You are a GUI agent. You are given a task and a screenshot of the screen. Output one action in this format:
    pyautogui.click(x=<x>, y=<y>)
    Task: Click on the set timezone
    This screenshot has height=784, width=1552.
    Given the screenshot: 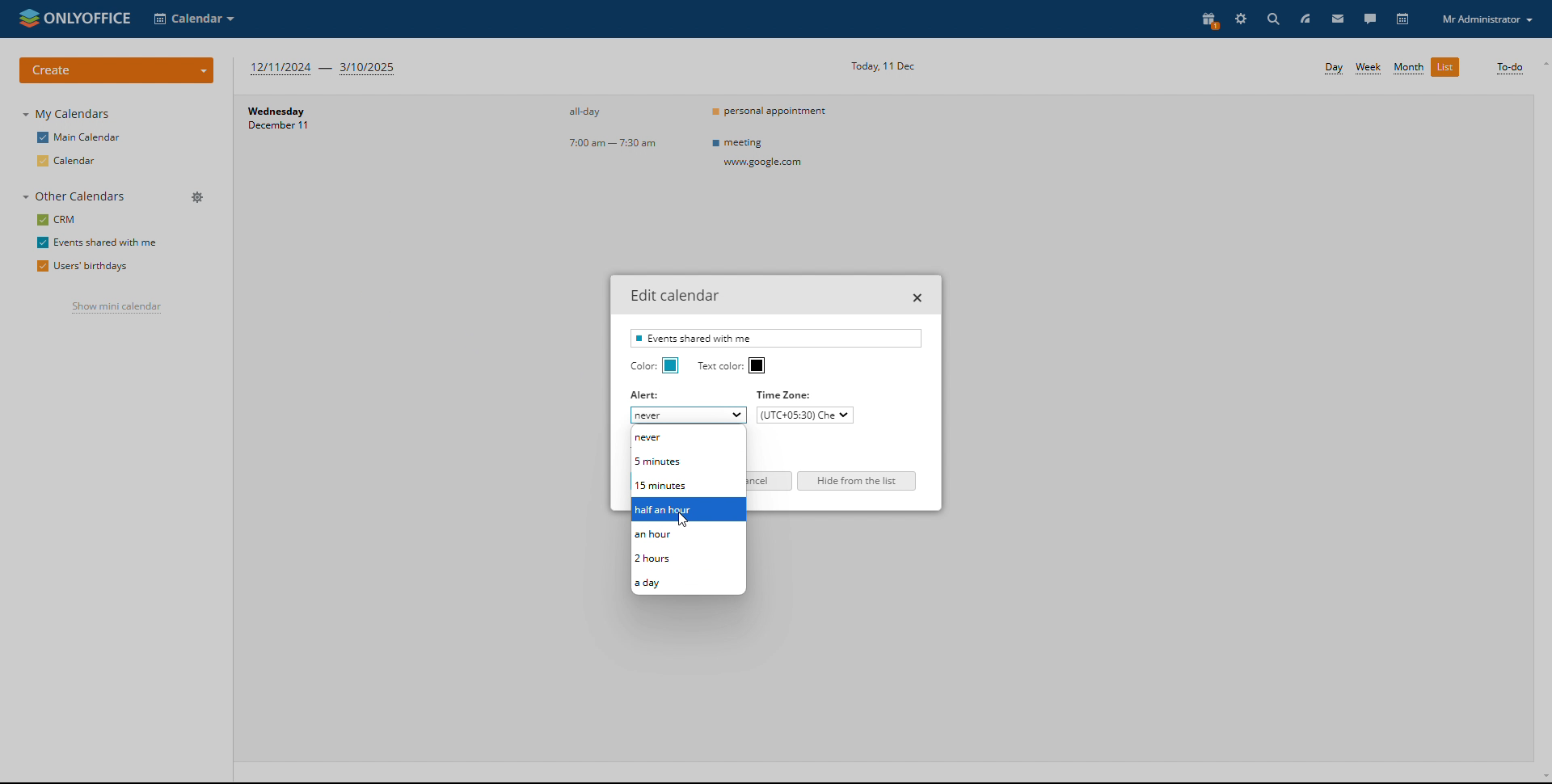 What is the action you would take?
    pyautogui.click(x=803, y=415)
    